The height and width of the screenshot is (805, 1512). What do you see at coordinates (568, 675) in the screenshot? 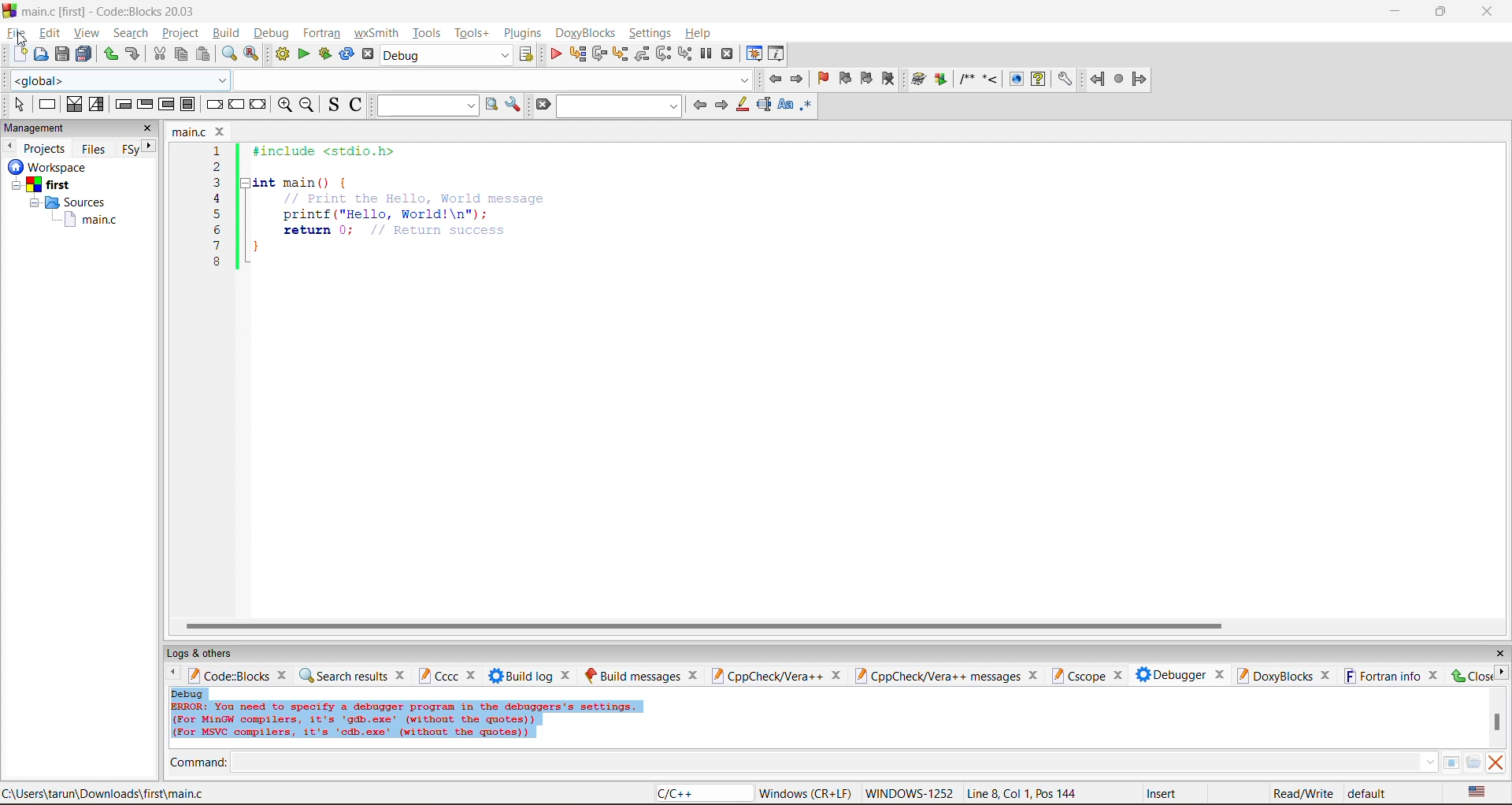
I see `close` at bounding box center [568, 675].